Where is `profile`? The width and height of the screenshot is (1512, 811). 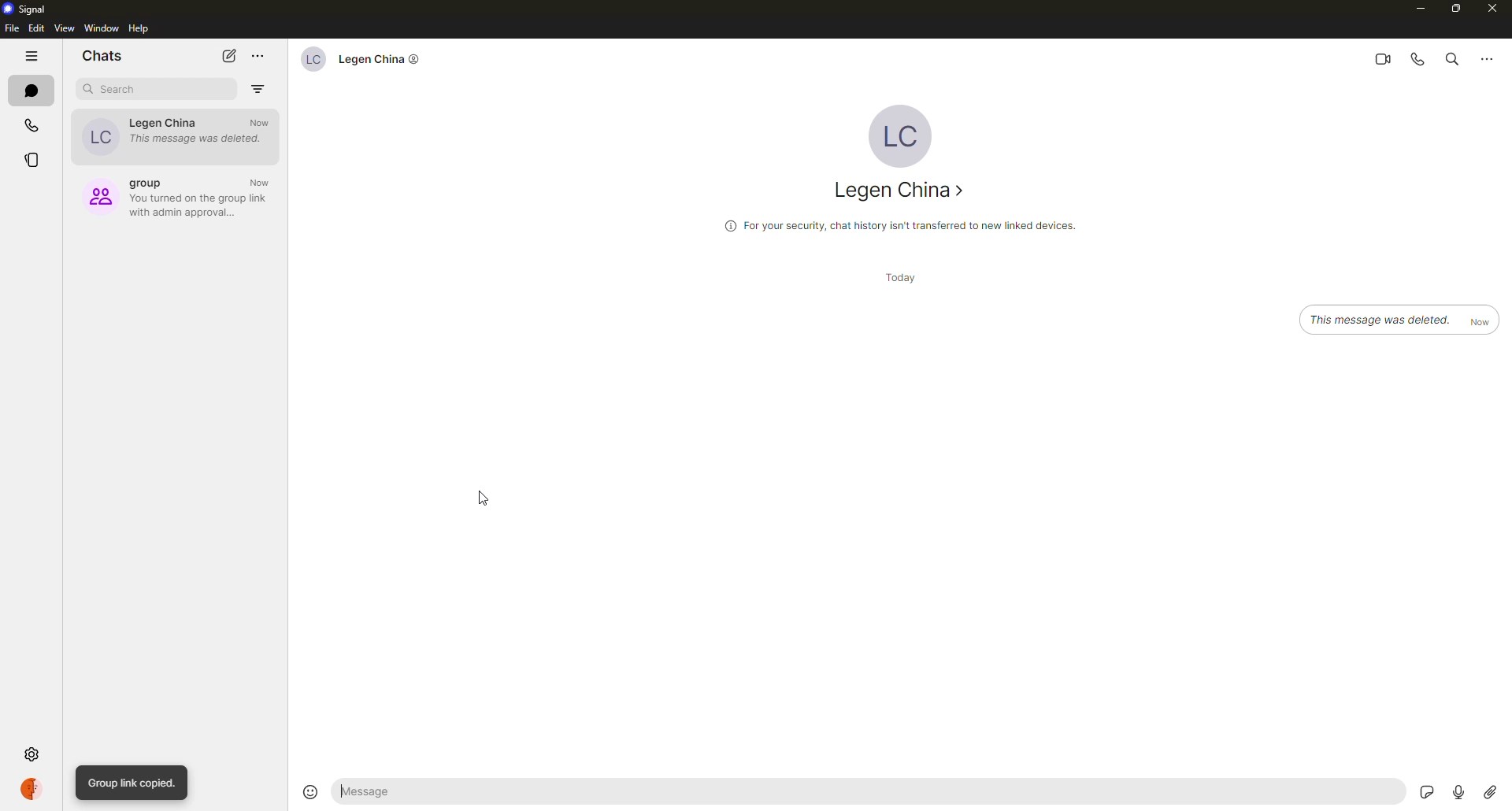
profile is located at coordinates (34, 788).